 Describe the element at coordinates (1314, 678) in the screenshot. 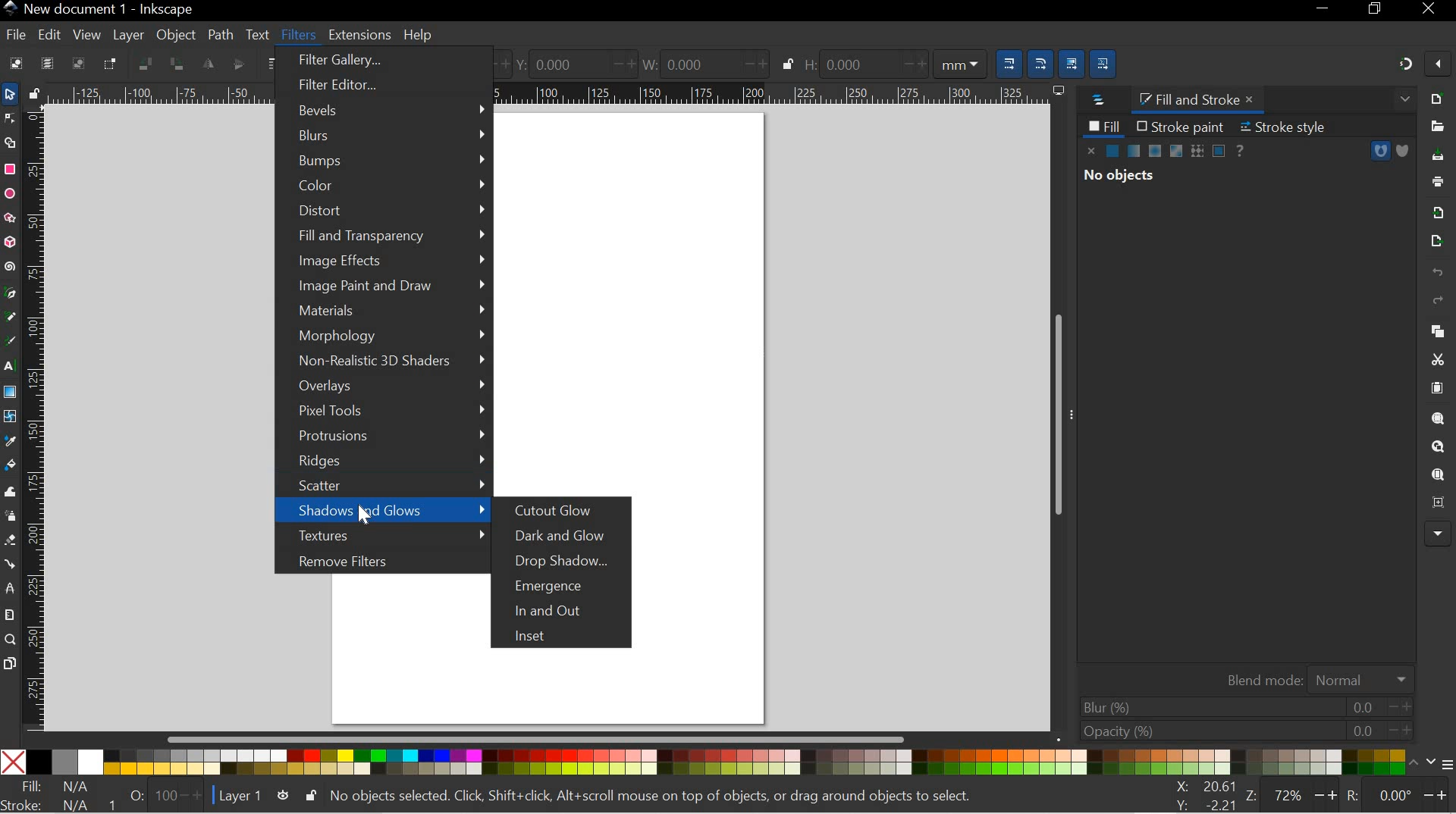

I see `BLEND MODE` at that location.